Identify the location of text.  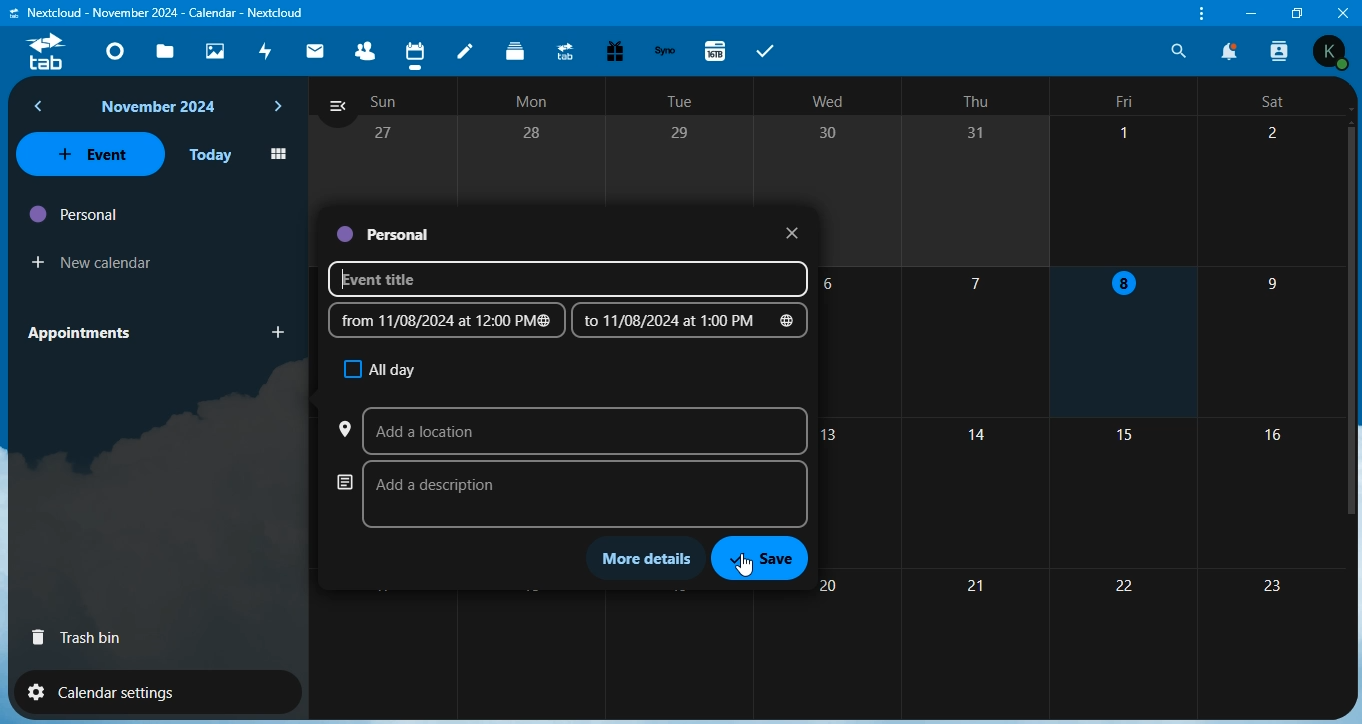
(828, 100).